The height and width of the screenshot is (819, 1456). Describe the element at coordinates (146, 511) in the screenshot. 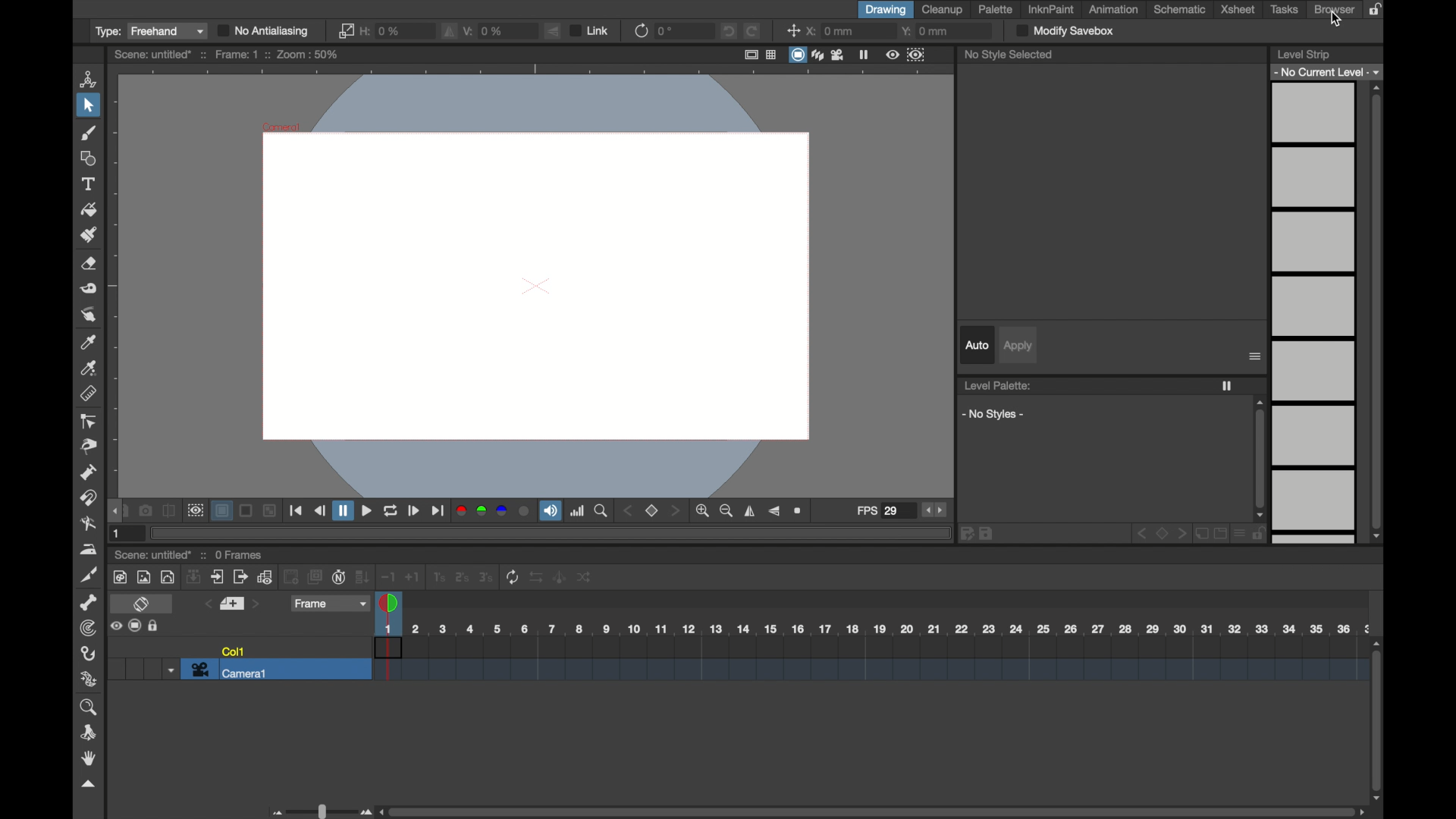

I see `snapshot` at that location.